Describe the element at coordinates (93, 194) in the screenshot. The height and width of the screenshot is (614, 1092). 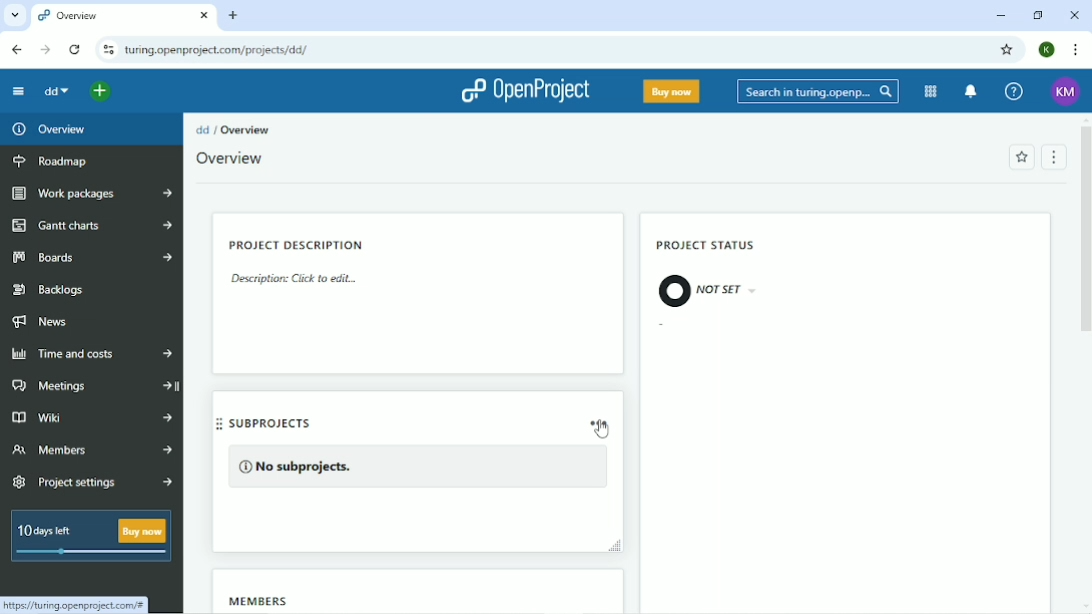
I see `Work packages` at that location.